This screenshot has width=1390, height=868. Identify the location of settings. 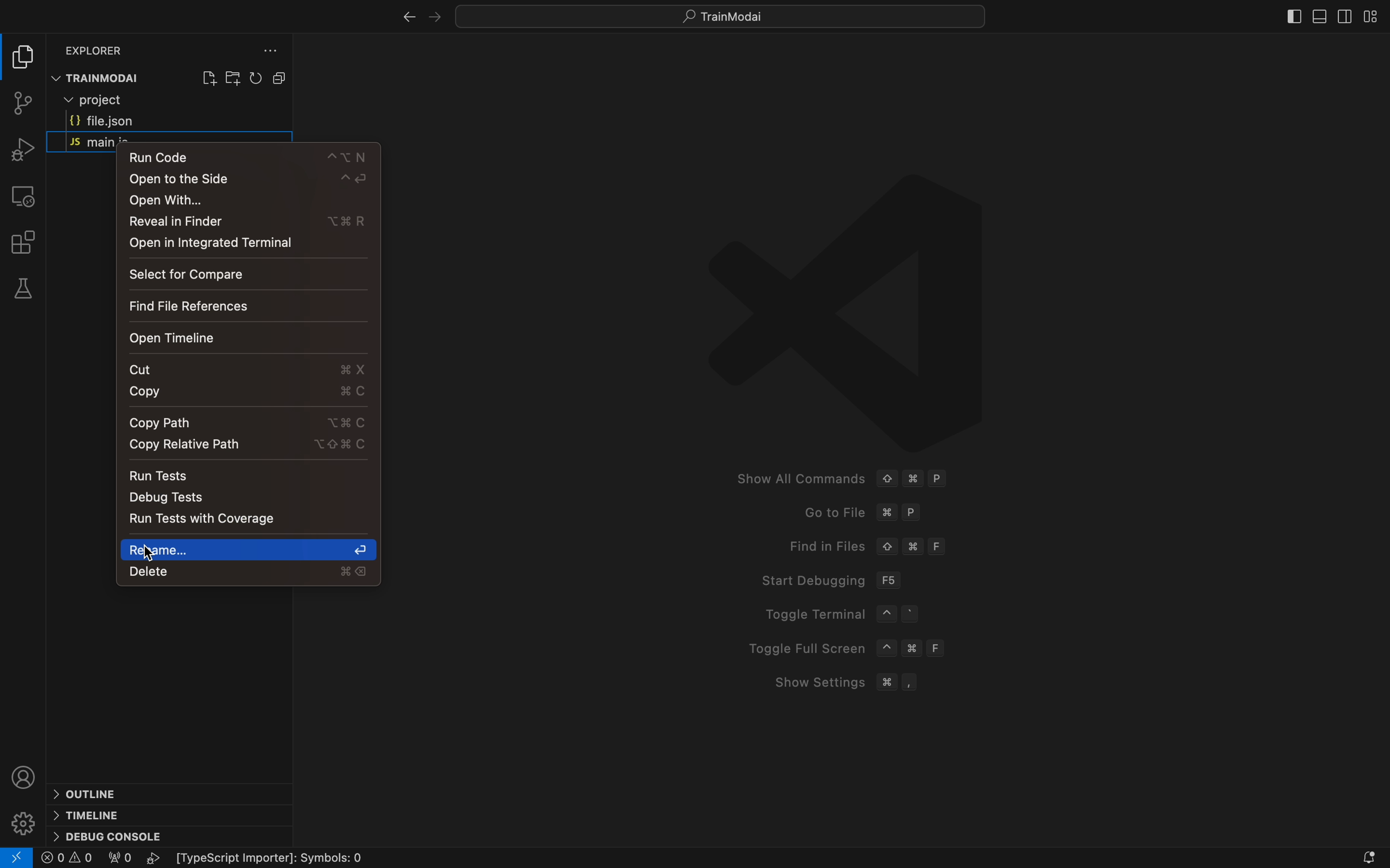
(23, 823).